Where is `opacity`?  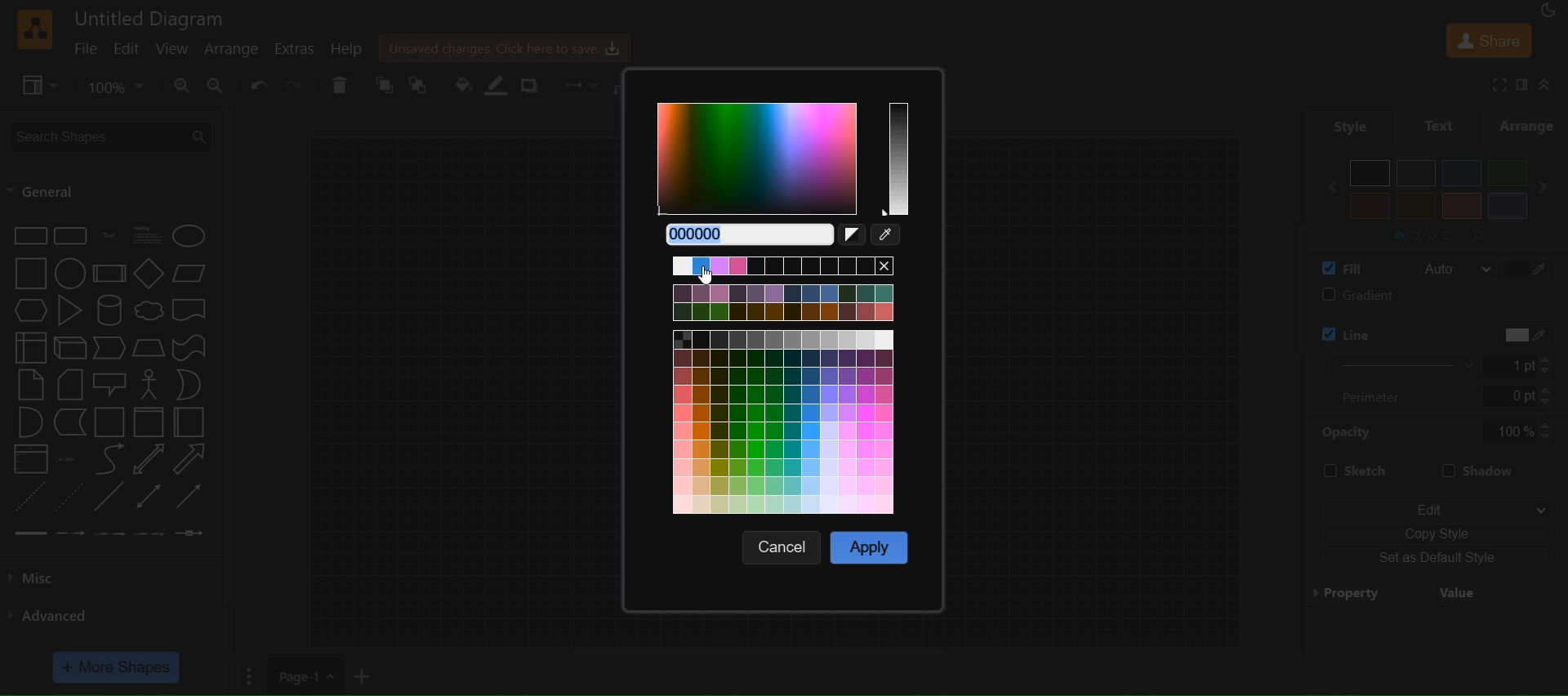
opacity is located at coordinates (1348, 431).